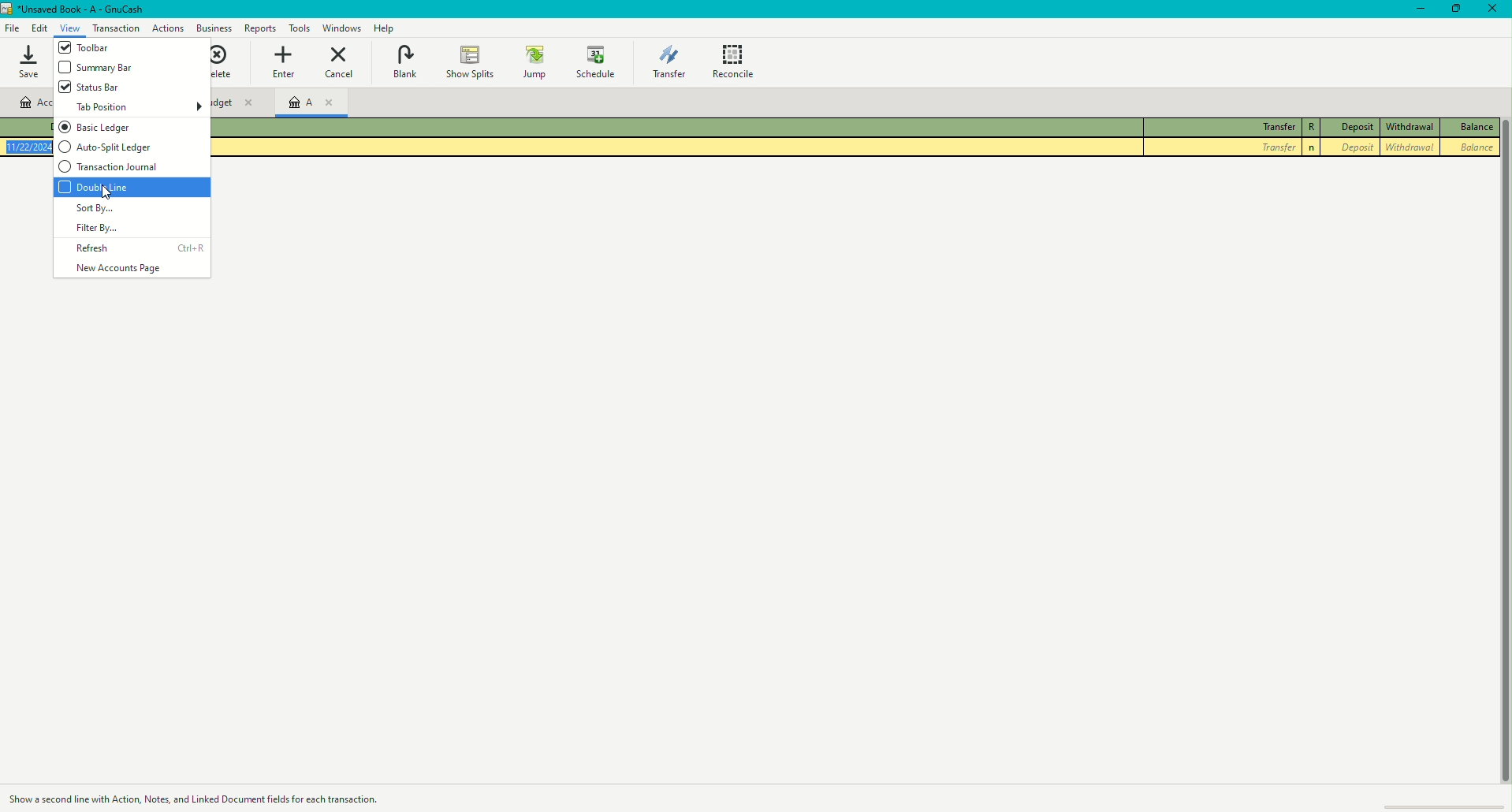  Describe the element at coordinates (12, 27) in the screenshot. I see `File` at that location.